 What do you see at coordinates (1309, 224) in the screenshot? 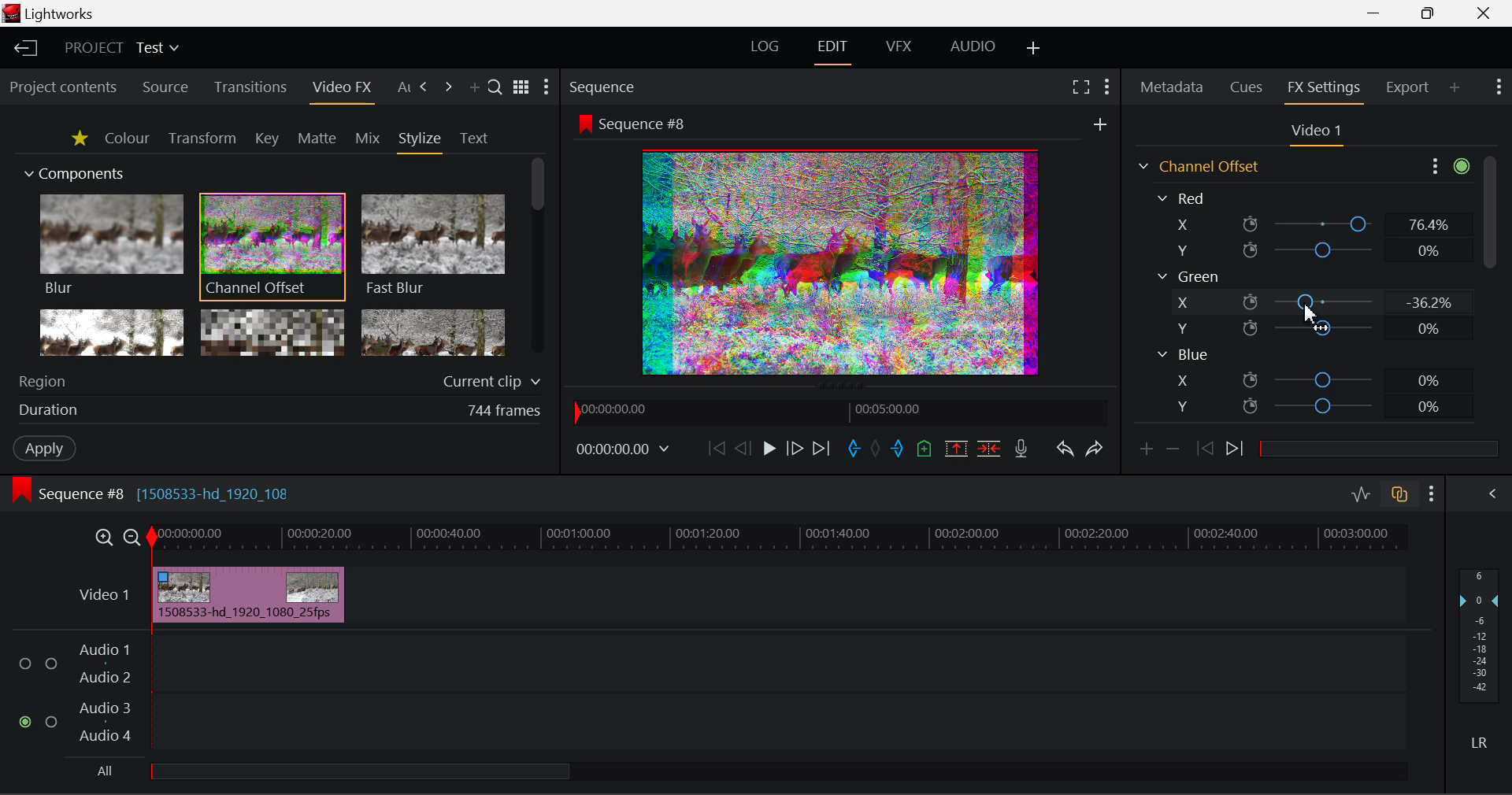
I see `Red X` at bounding box center [1309, 224].